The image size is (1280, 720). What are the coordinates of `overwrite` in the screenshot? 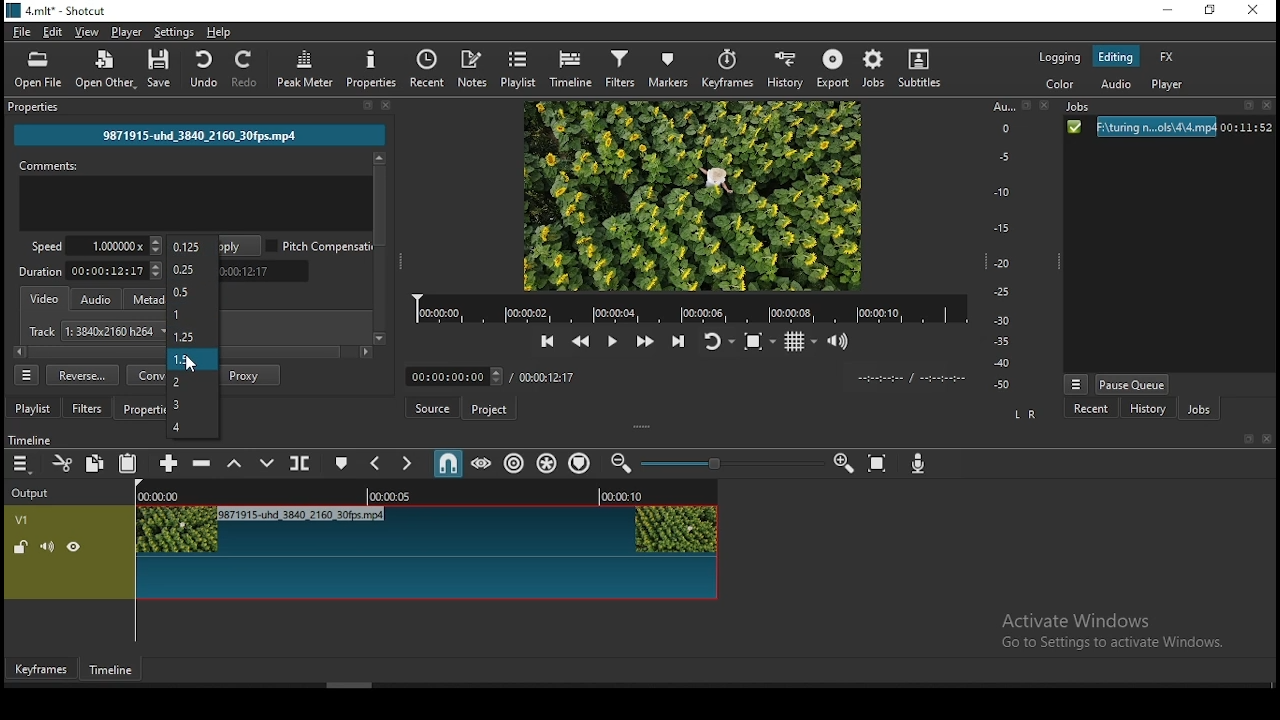 It's located at (263, 461).